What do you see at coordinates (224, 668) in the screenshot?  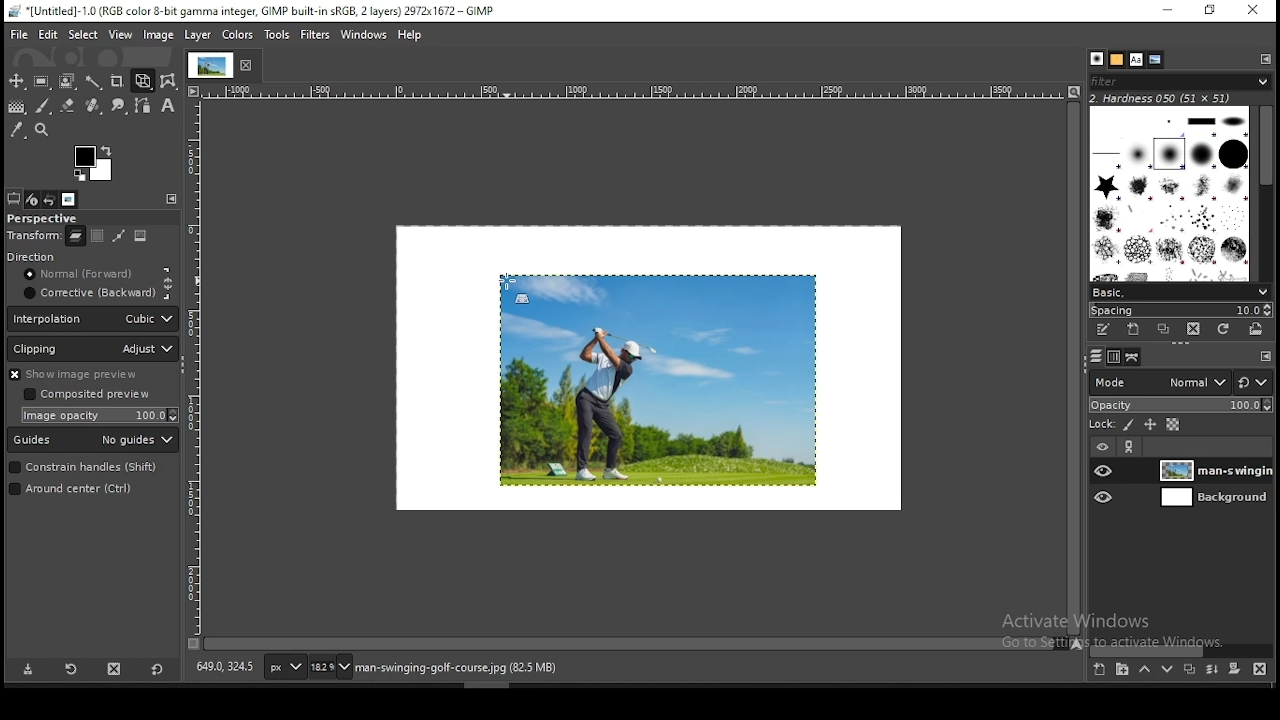 I see `649.0, 324.5` at bounding box center [224, 668].